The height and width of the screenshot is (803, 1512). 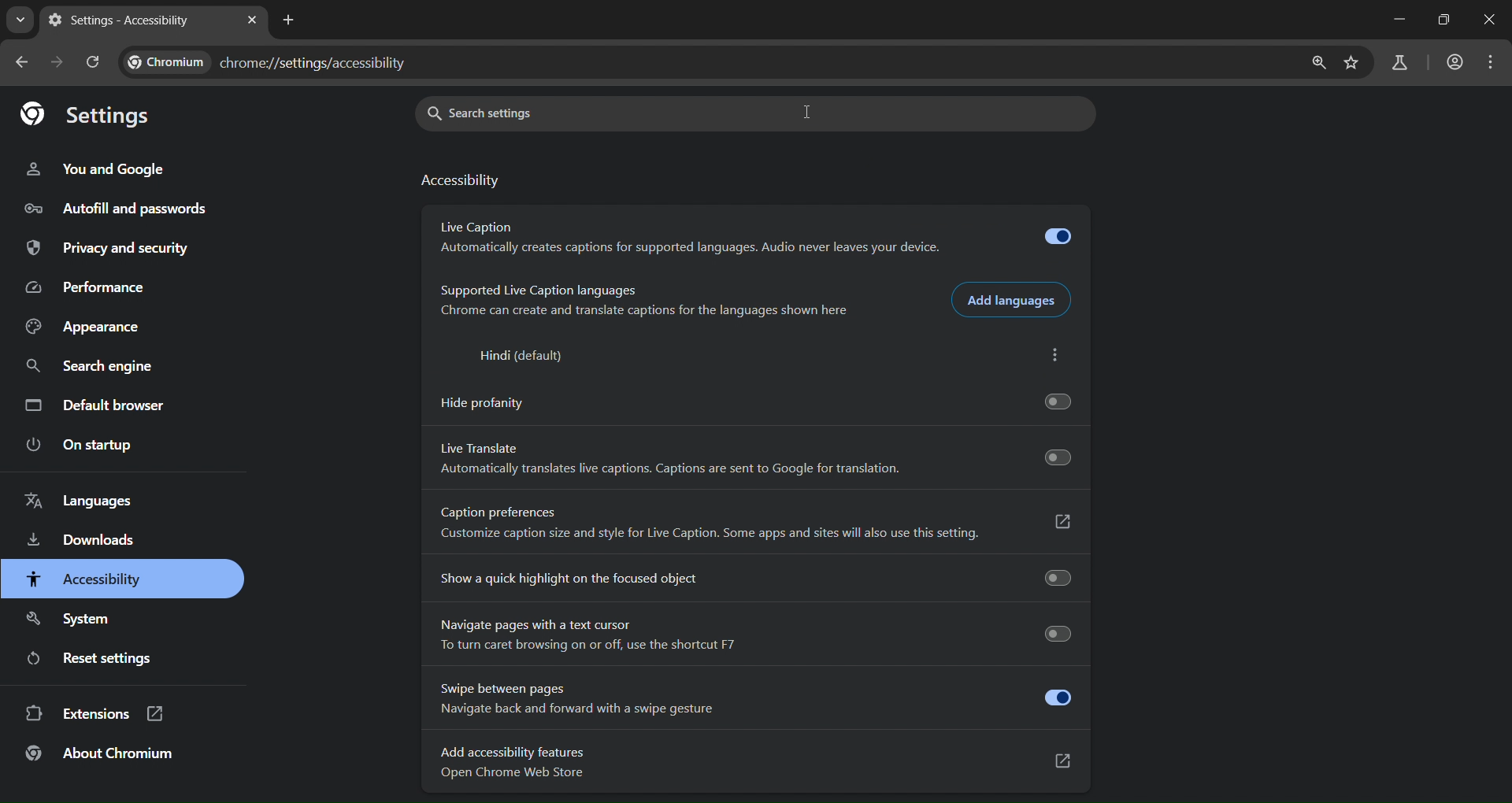 I want to click on autofill and passwords, so click(x=113, y=207).